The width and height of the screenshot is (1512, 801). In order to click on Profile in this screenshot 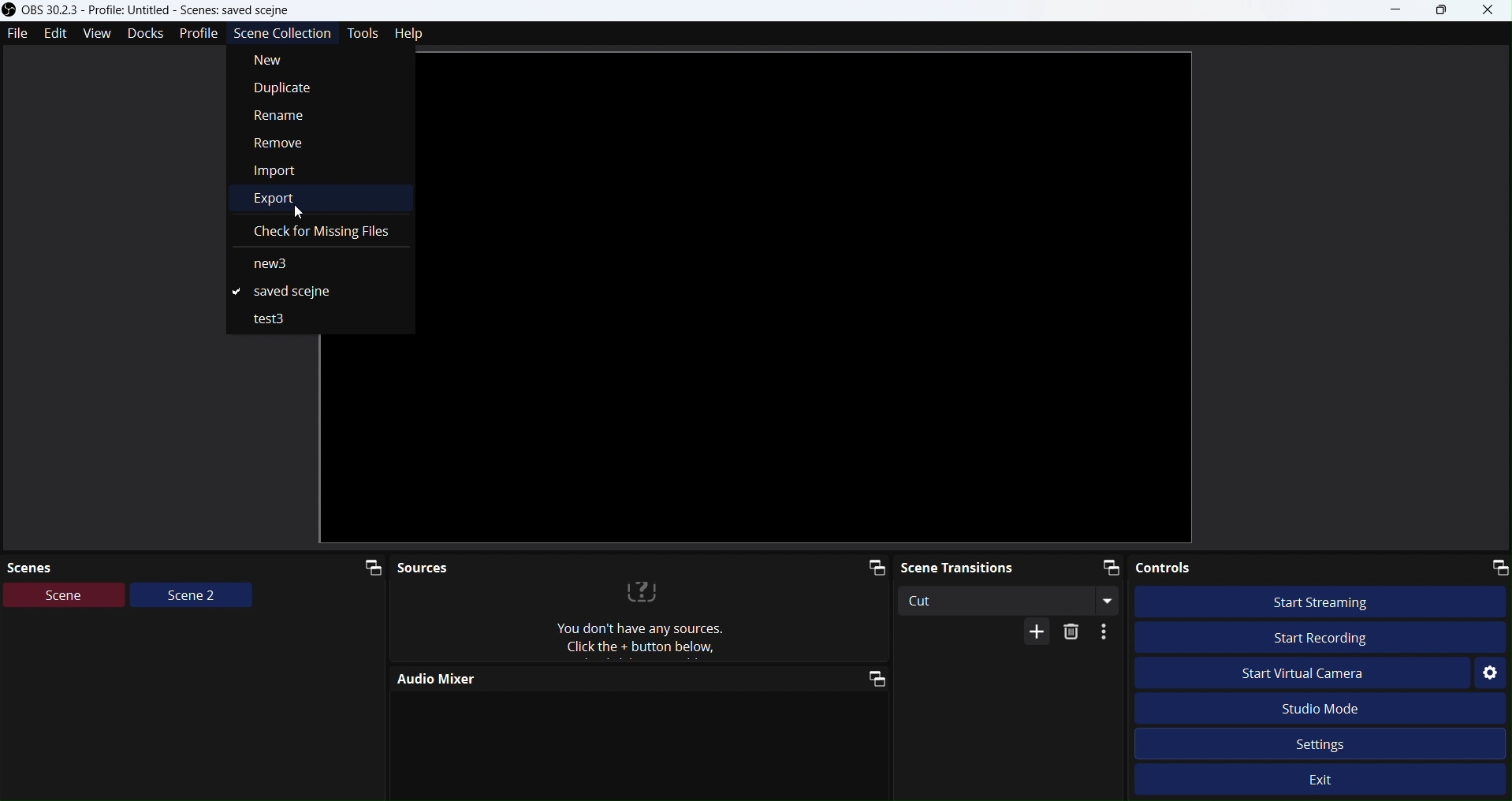, I will do `click(200, 33)`.